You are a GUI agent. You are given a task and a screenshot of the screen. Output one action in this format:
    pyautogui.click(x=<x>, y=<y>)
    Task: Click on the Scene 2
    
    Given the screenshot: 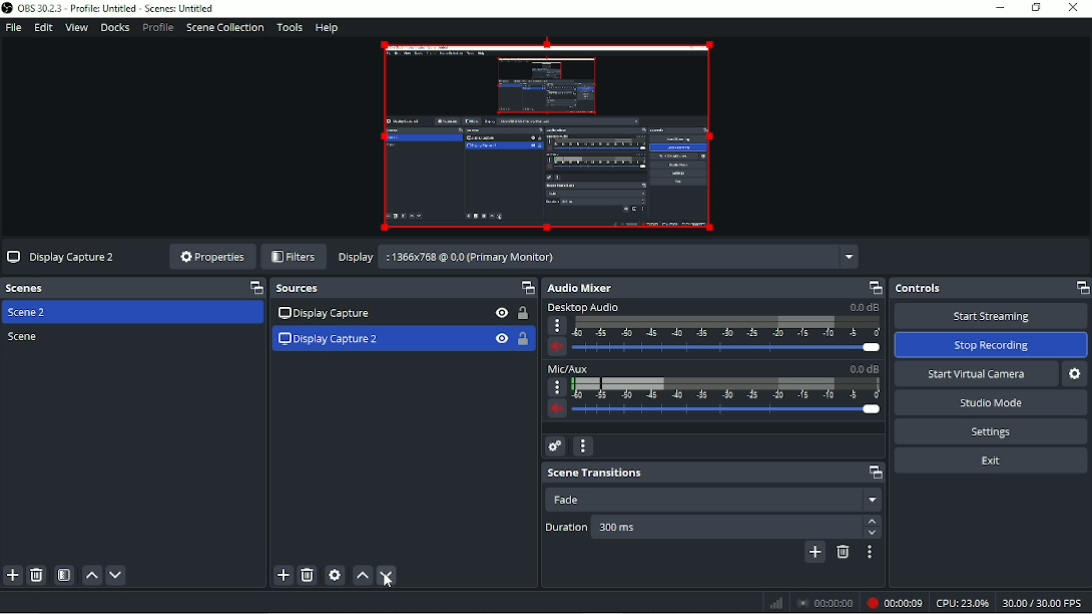 What is the action you would take?
    pyautogui.click(x=31, y=313)
    